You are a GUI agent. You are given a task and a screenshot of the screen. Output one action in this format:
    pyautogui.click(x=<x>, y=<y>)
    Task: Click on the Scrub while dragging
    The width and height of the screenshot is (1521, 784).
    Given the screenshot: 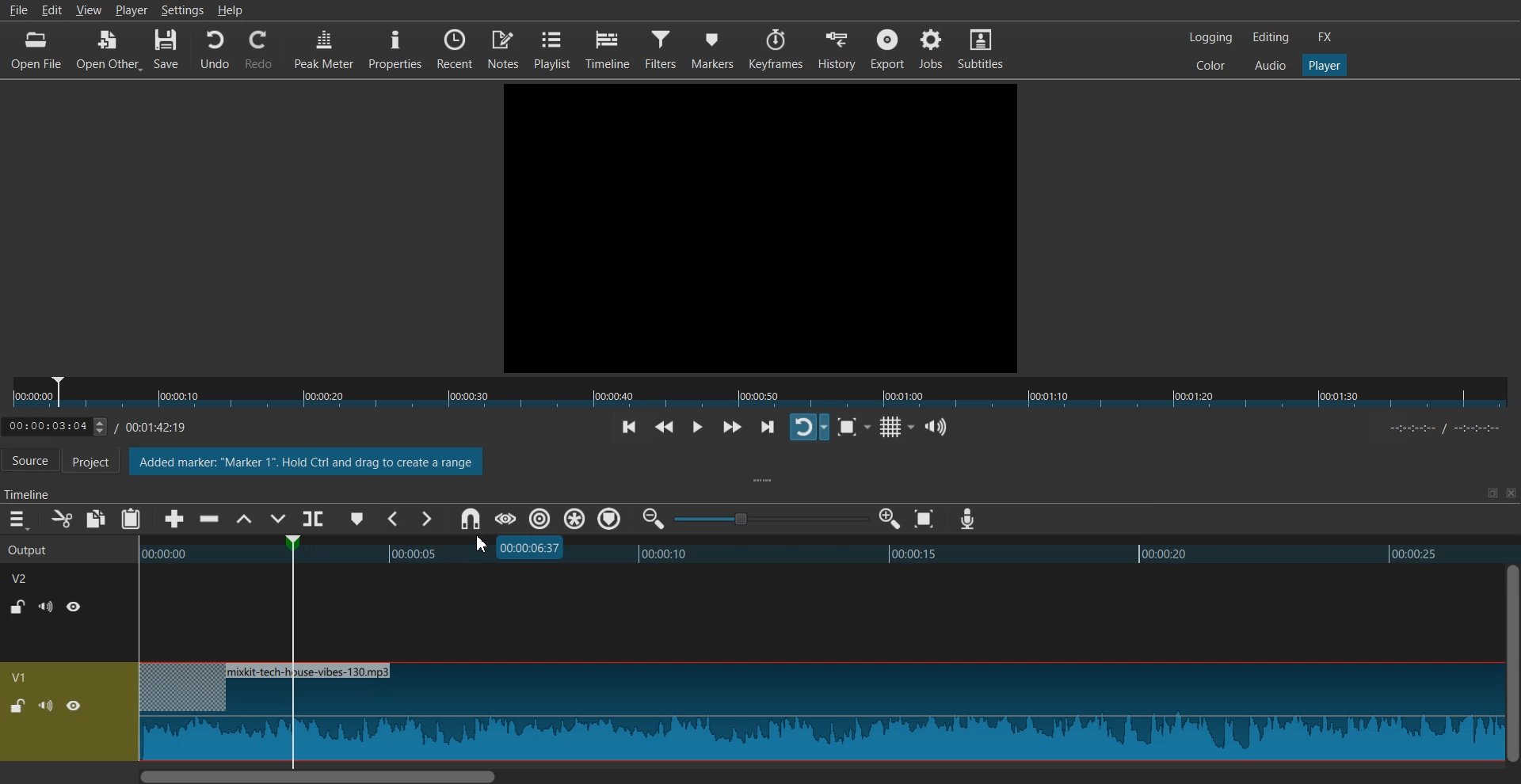 What is the action you would take?
    pyautogui.click(x=505, y=519)
    